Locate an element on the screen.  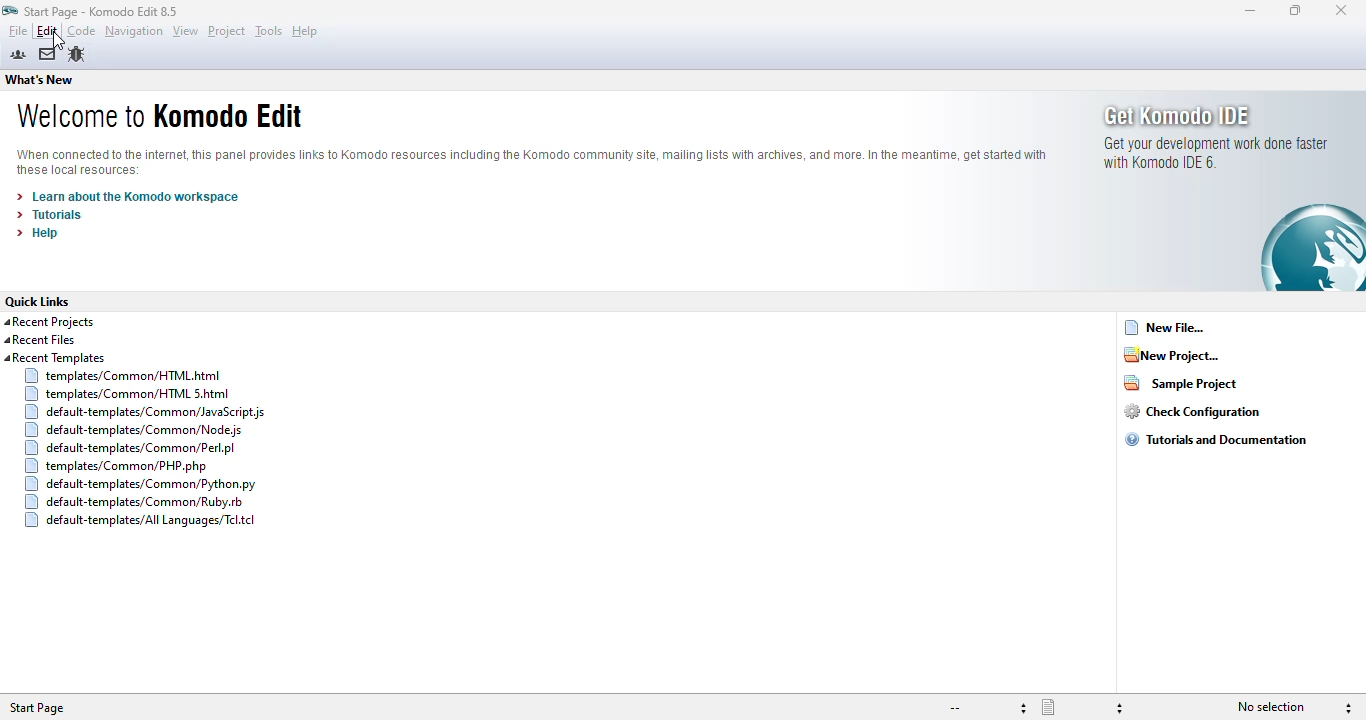
quick links is located at coordinates (38, 302).